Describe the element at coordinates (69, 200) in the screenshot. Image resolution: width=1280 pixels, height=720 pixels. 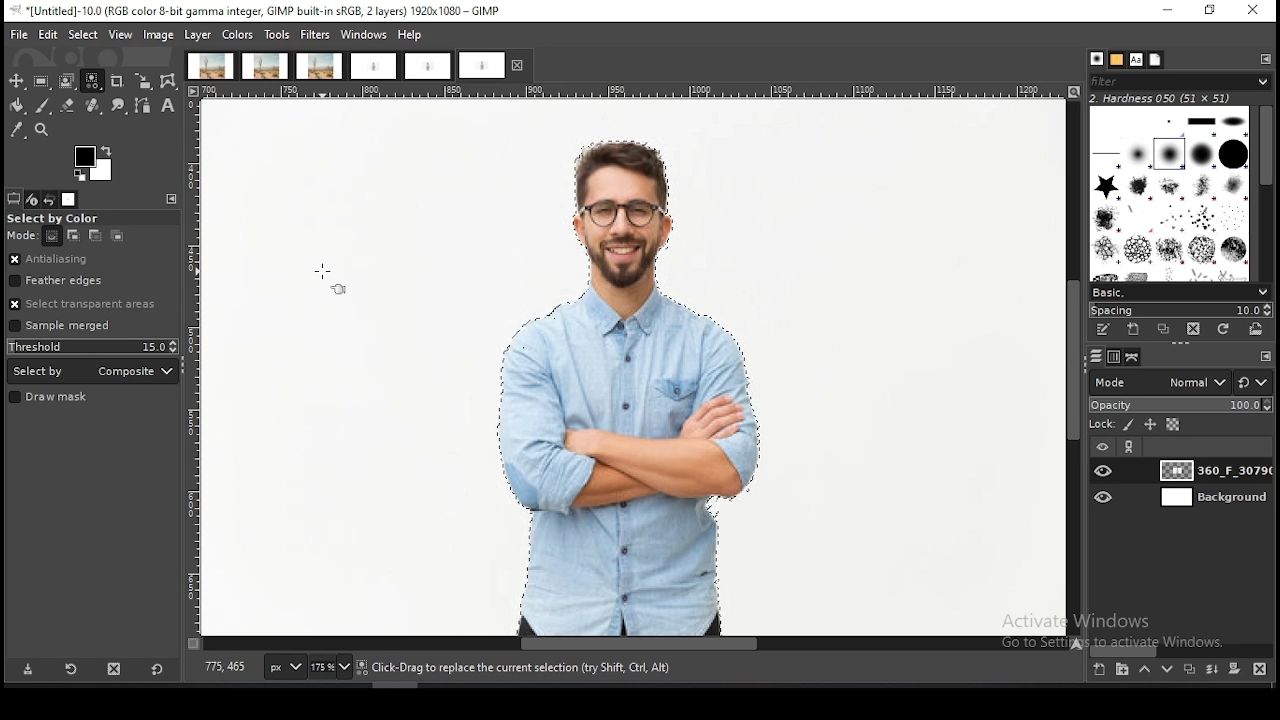
I see `images` at that location.